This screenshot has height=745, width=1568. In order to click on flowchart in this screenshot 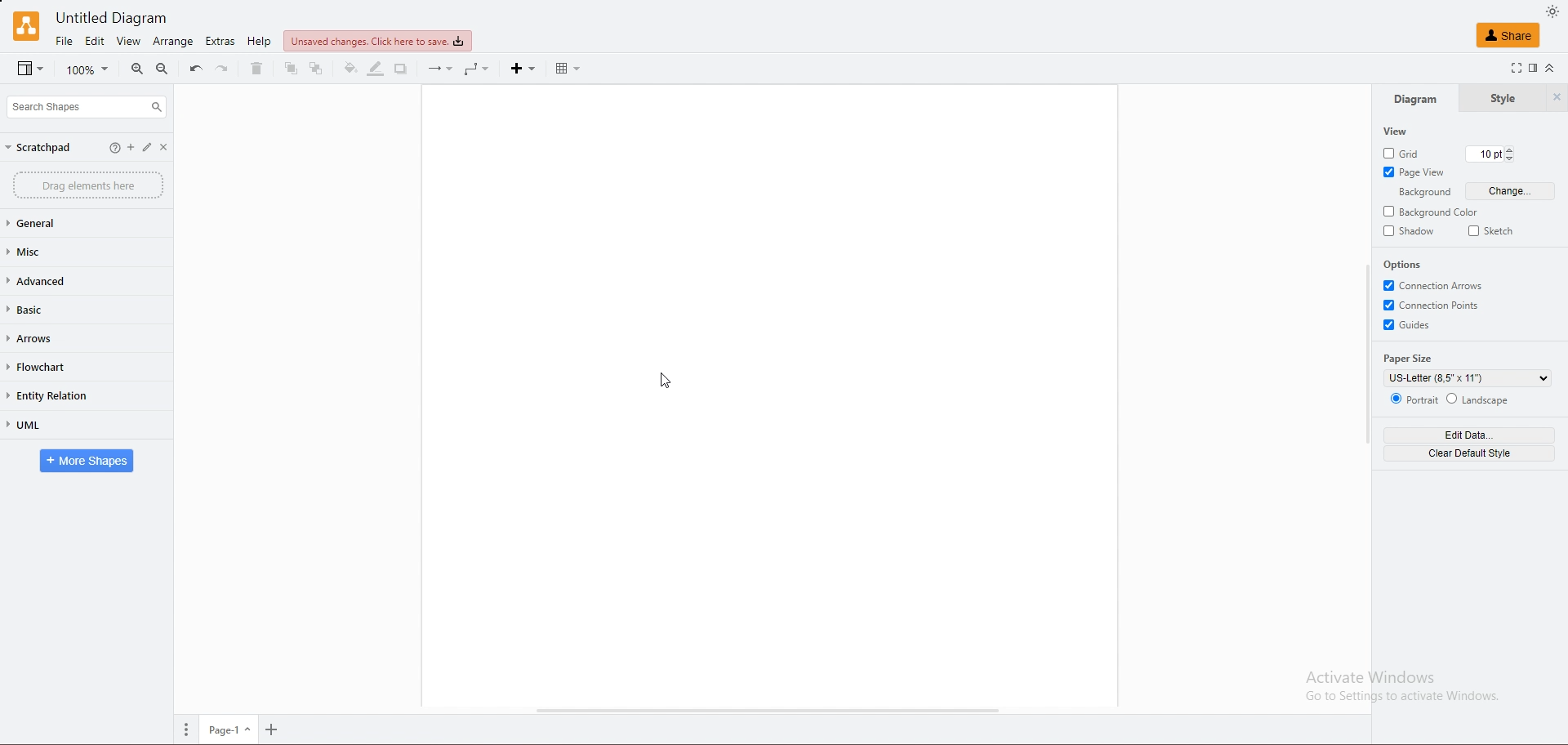, I will do `click(53, 366)`.